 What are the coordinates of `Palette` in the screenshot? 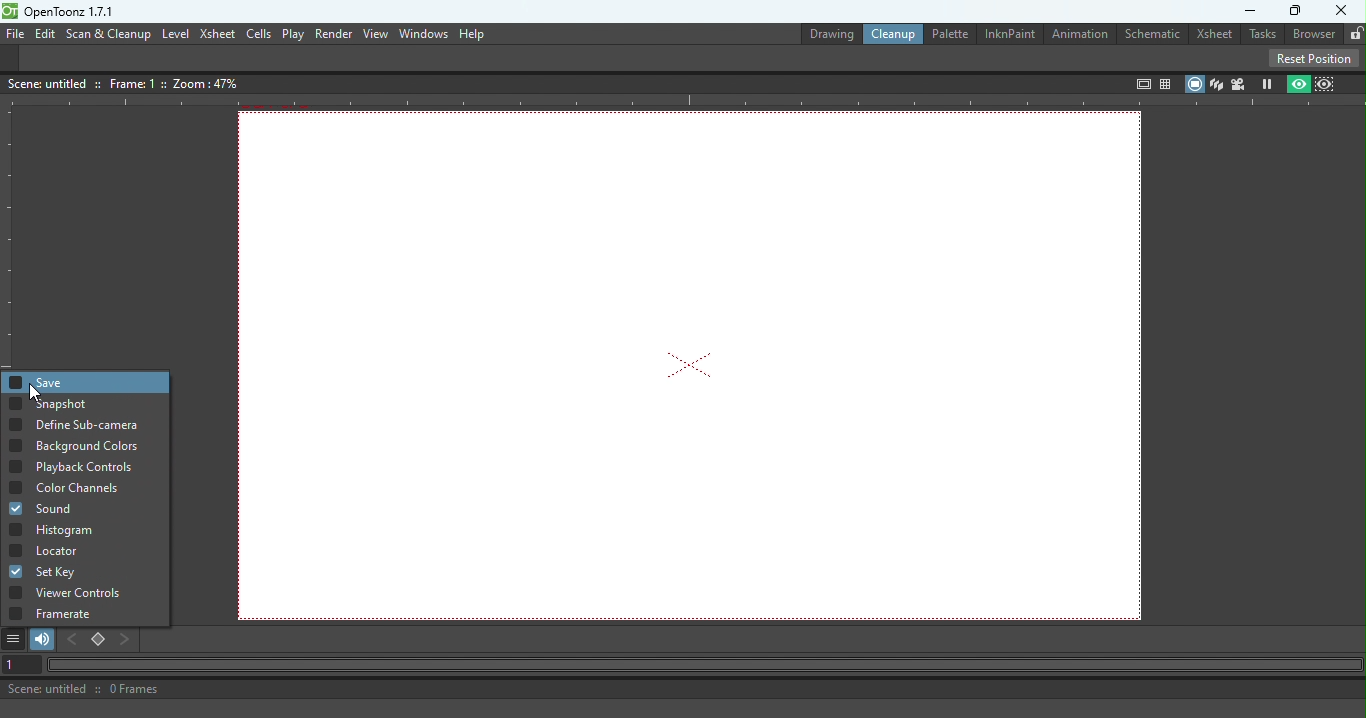 It's located at (948, 33).